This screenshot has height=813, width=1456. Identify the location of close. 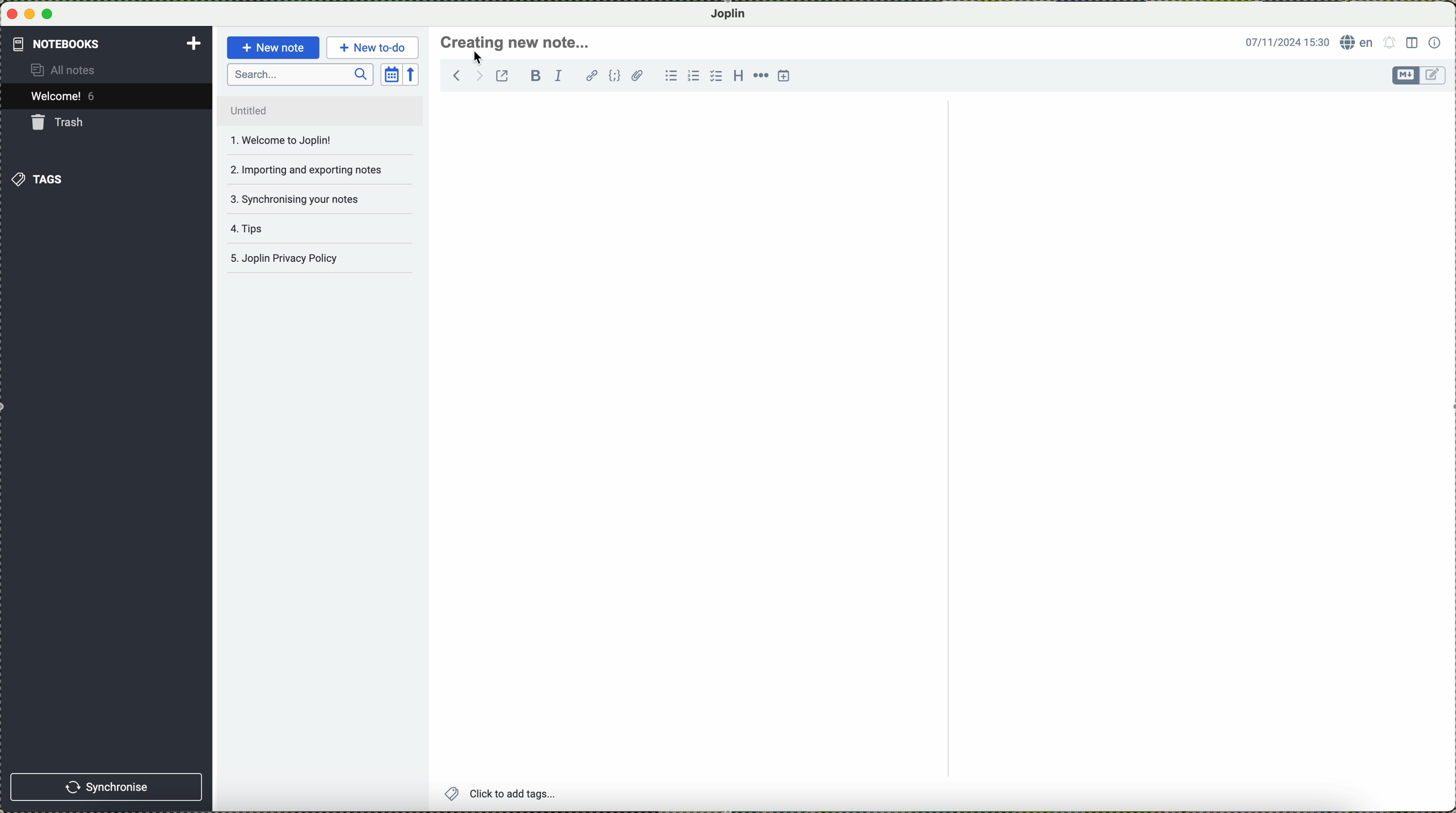
(11, 15).